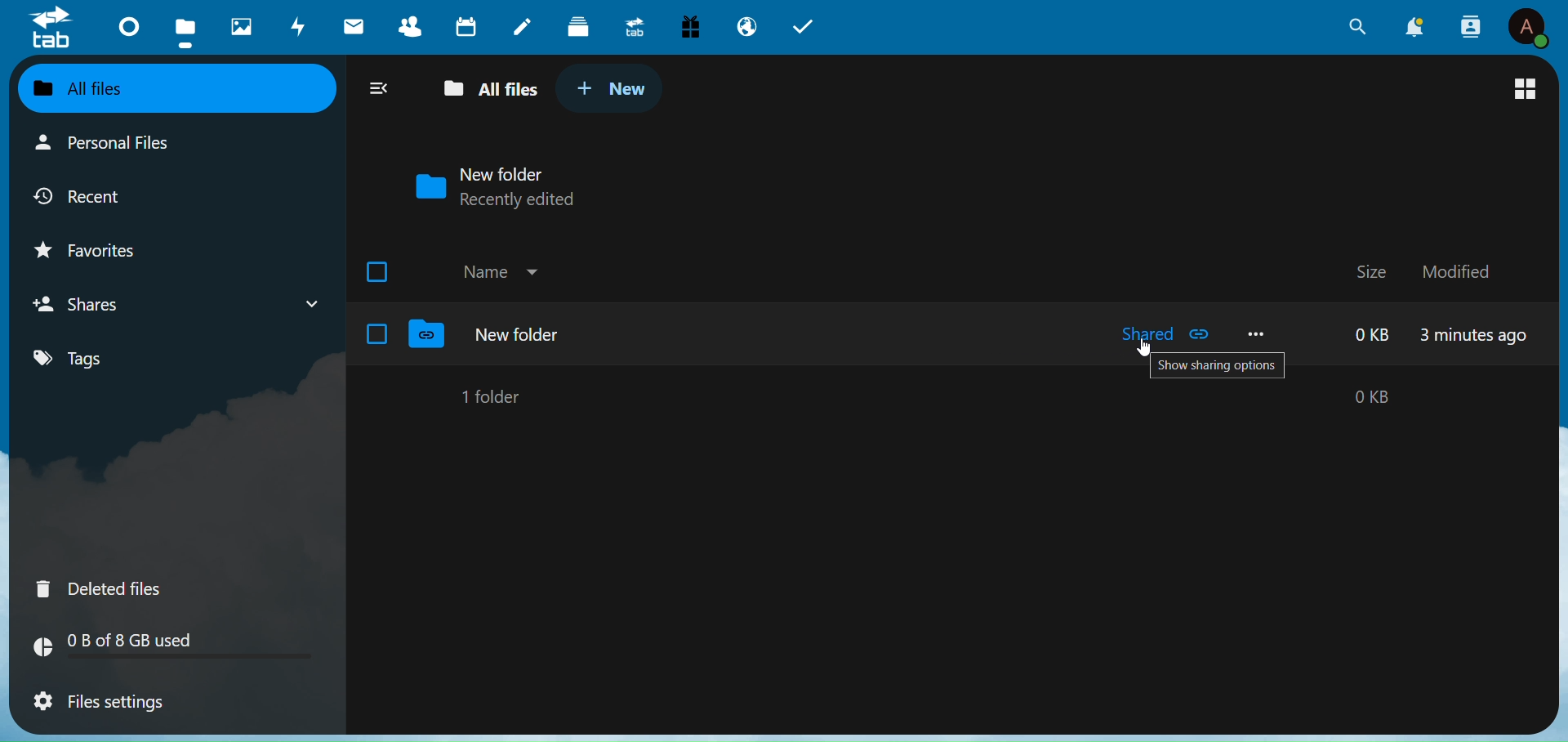 This screenshot has height=742, width=1568. Describe the element at coordinates (381, 270) in the screenshot. I see `Check box` at that location.